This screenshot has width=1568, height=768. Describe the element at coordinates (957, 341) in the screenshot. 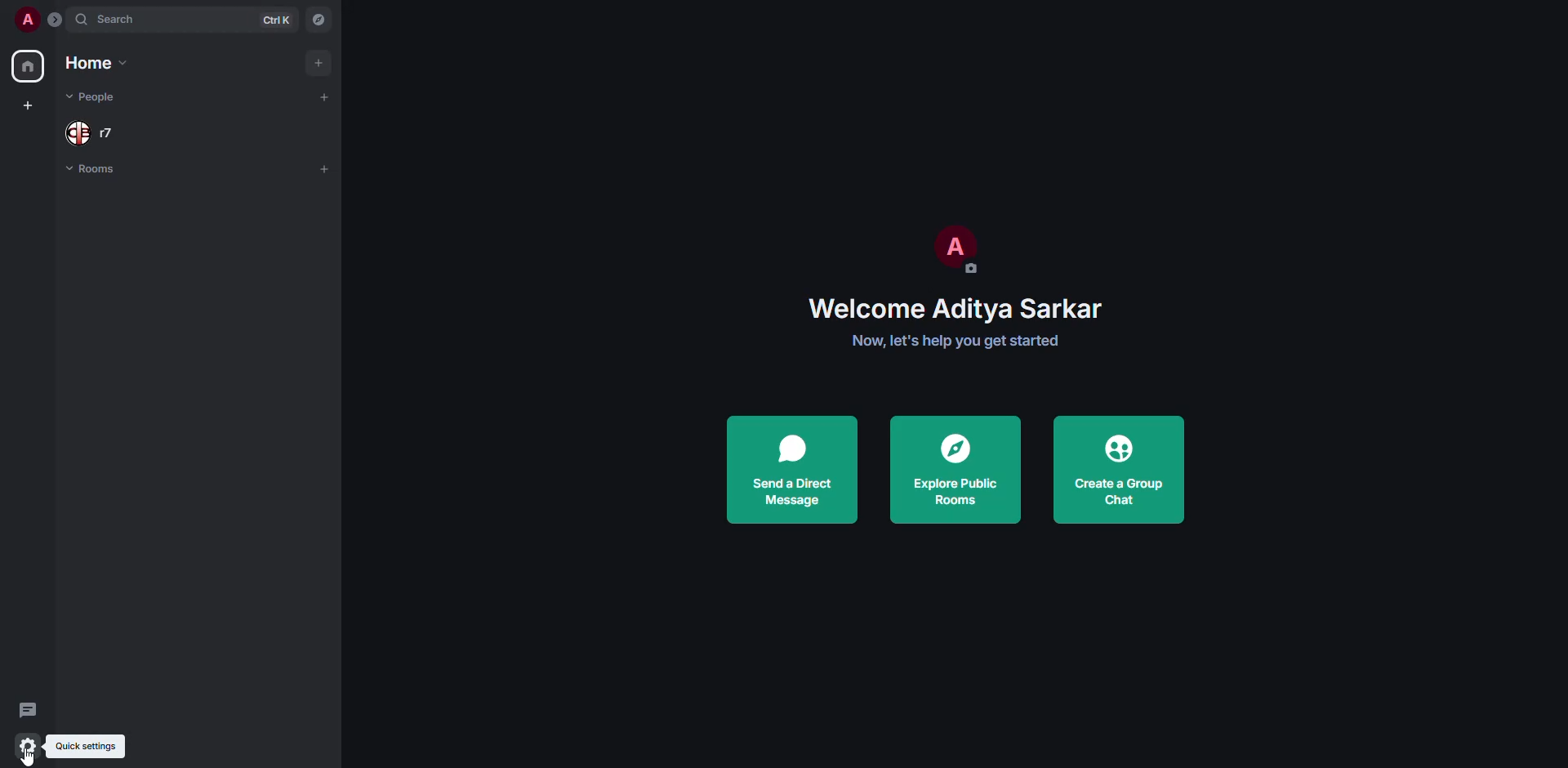

I see `Now, let's help you get started` at that location.